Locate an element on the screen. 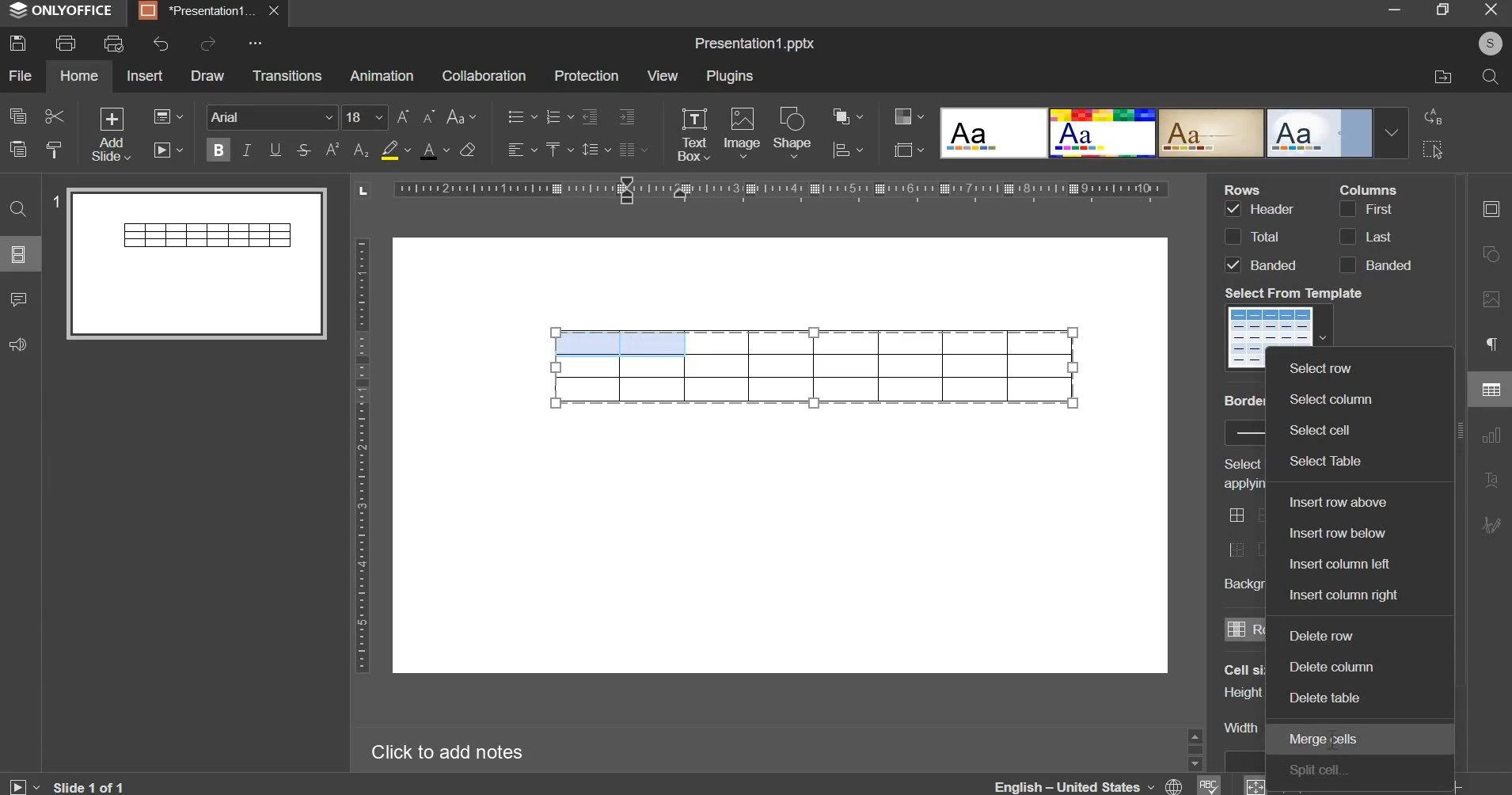 This screenshot has width=1512, height=795. rows & columns is located at coordinates (1244, 630).